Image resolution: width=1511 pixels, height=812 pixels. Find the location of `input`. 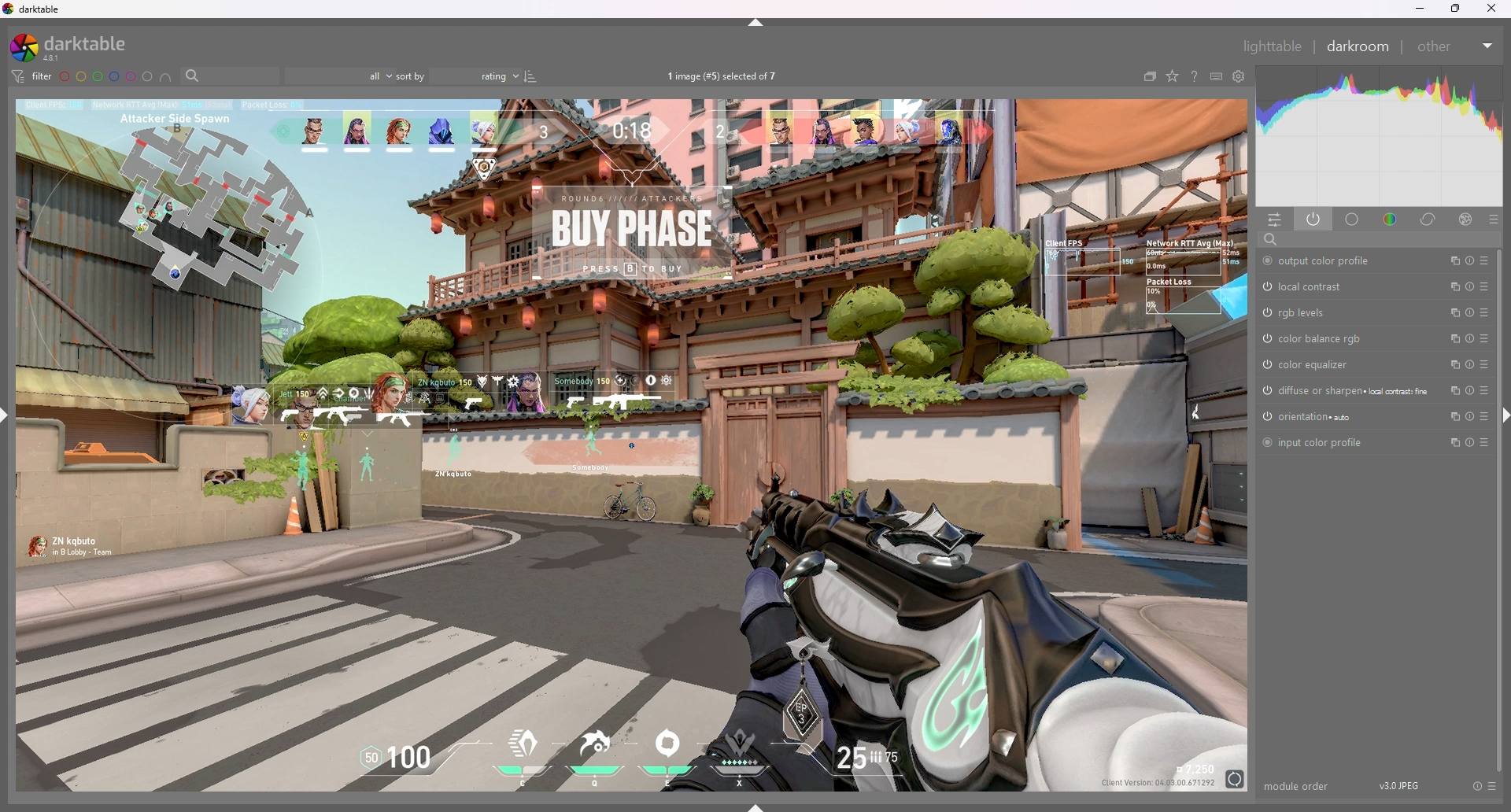

input is located at coordinates (1333, 238).